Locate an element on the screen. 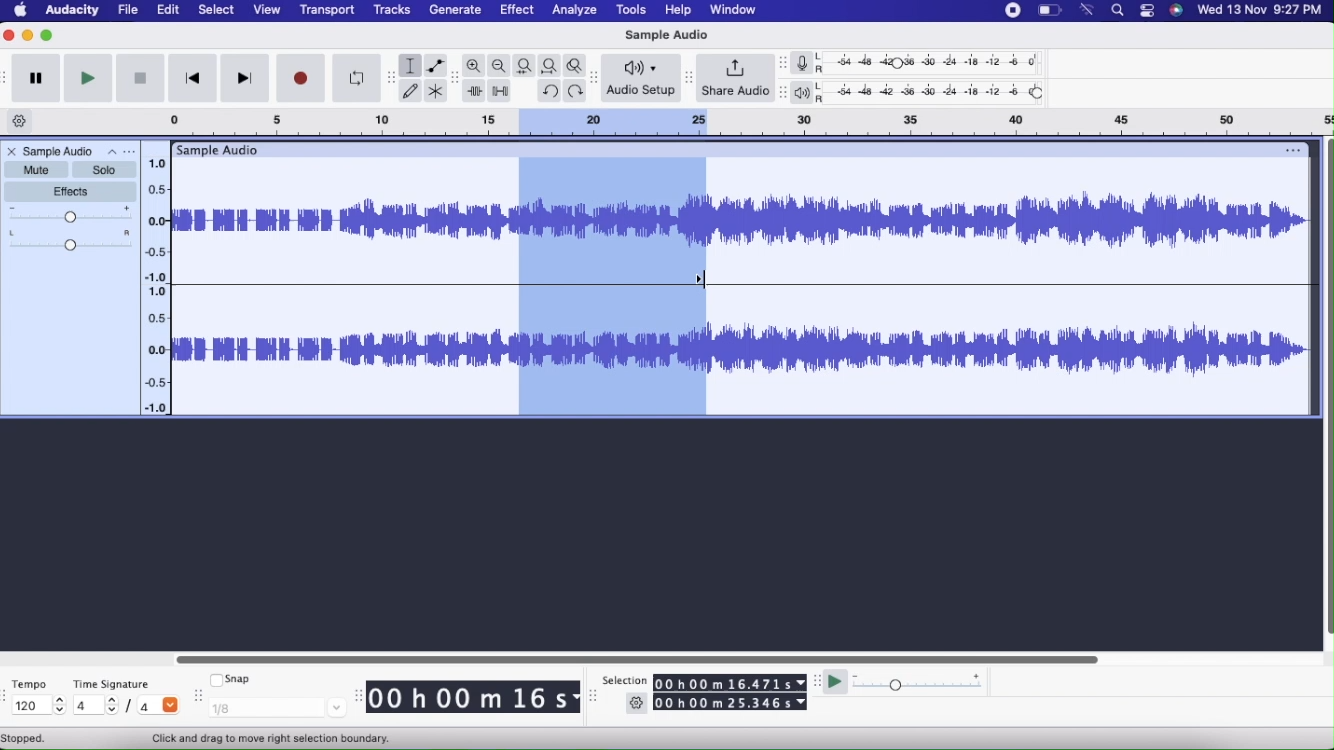 The width and height of the screenshot is (1334, 750). Fit selection to width is located at coordinates (525, 66).